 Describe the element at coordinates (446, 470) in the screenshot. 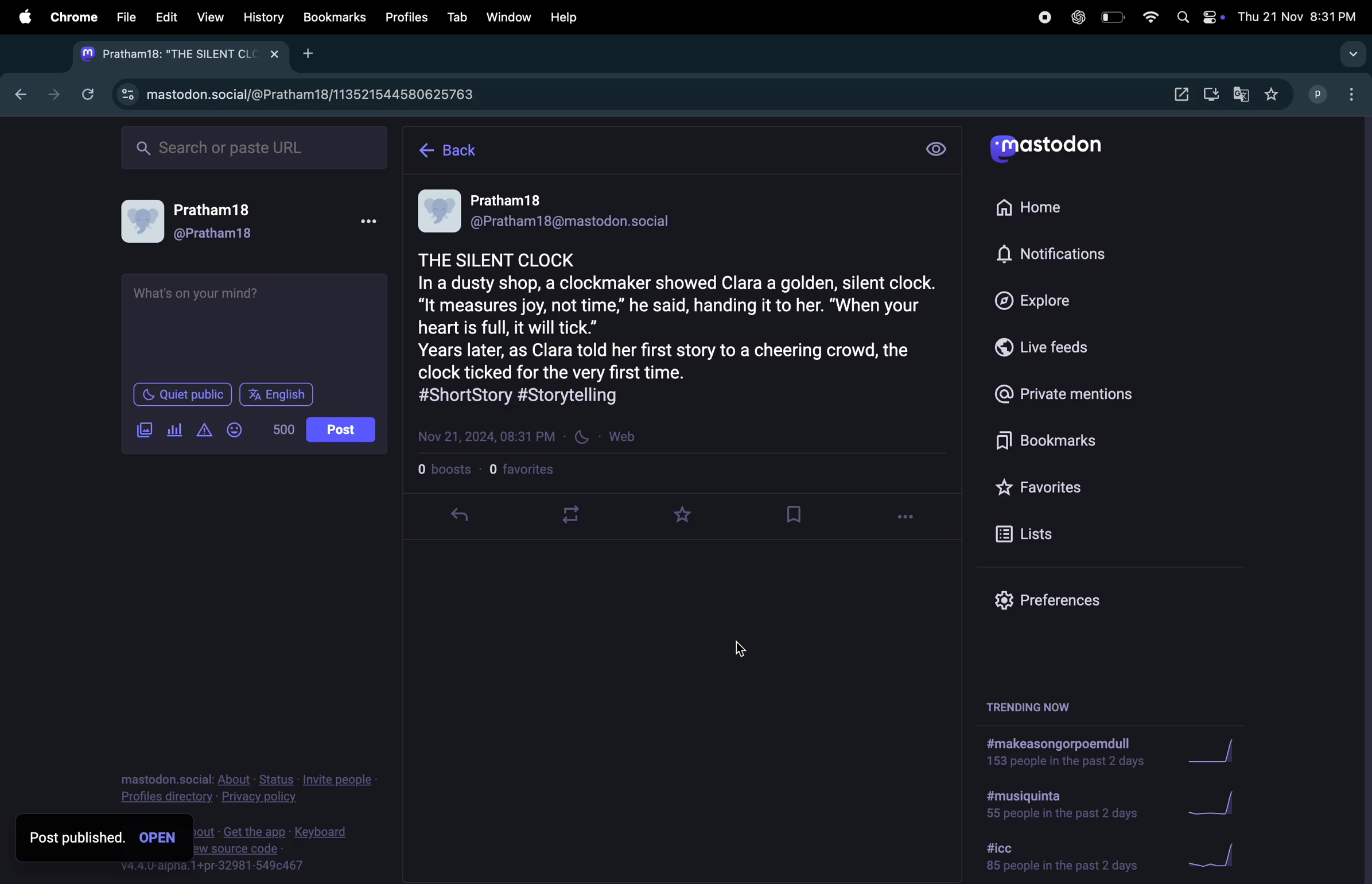

I see `bosts` at that location.